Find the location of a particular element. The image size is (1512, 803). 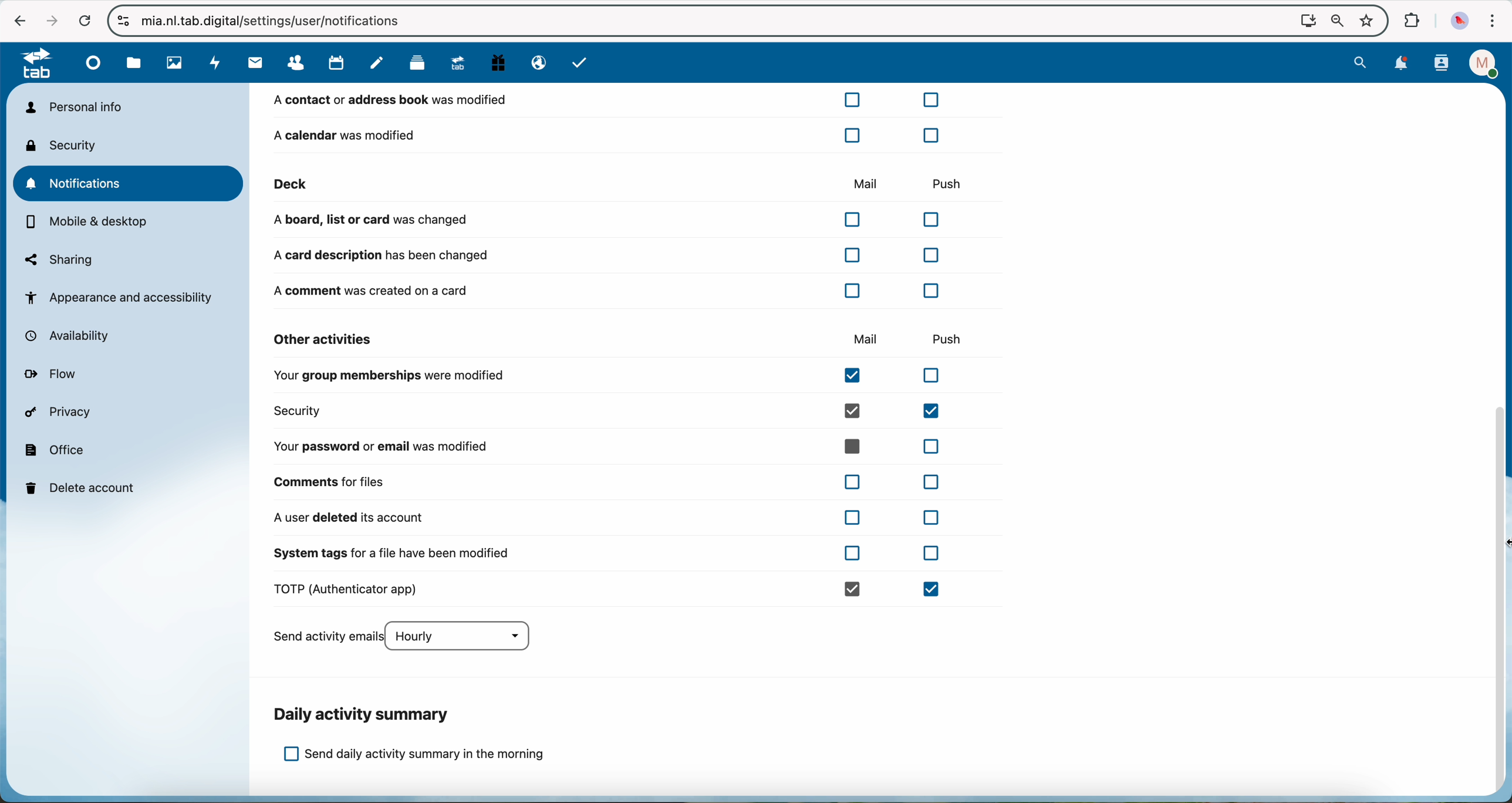

favorites is located at coordinates (1365, 18).